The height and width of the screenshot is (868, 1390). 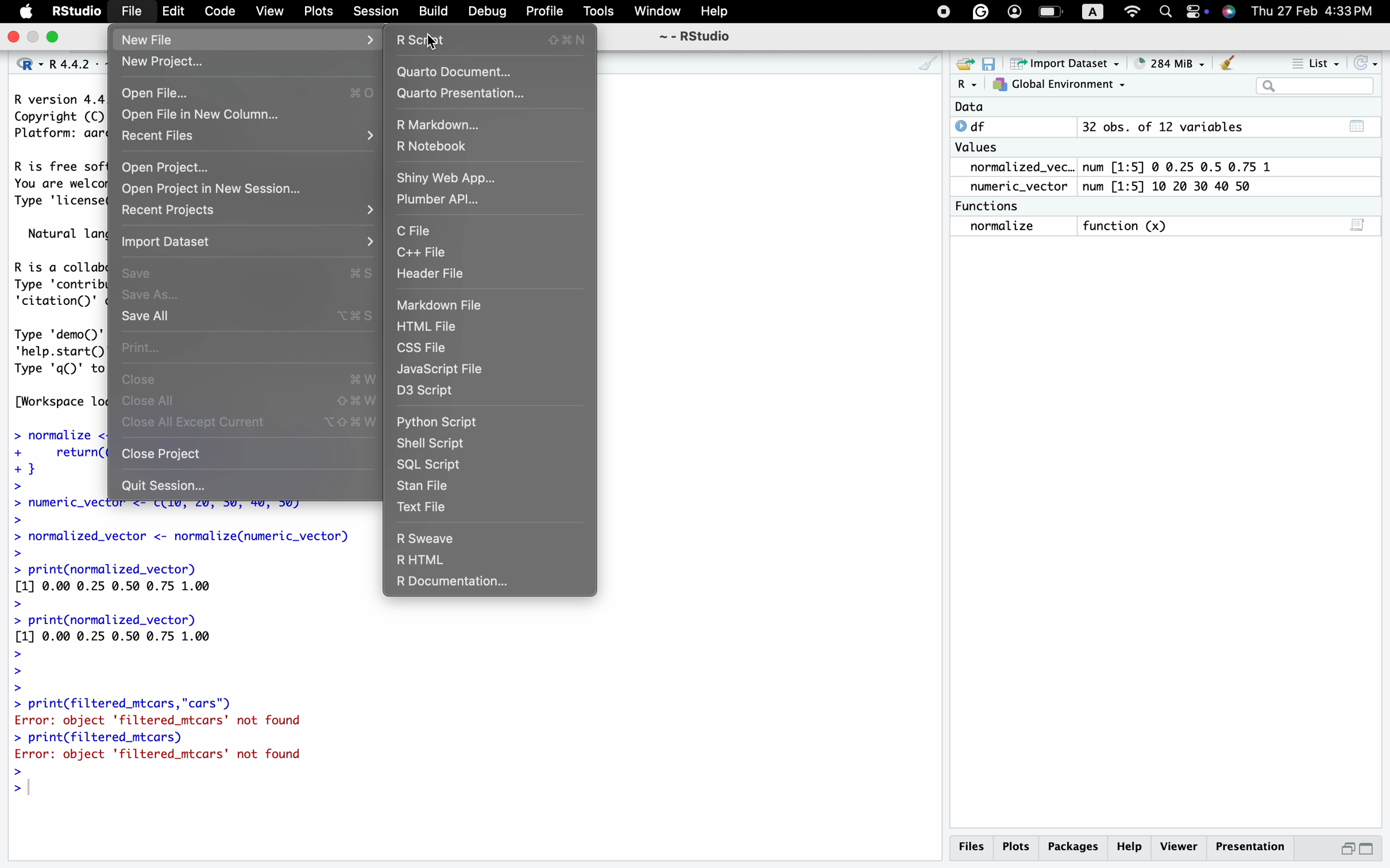 I want to click on Edit, so click(x=176, y=13).